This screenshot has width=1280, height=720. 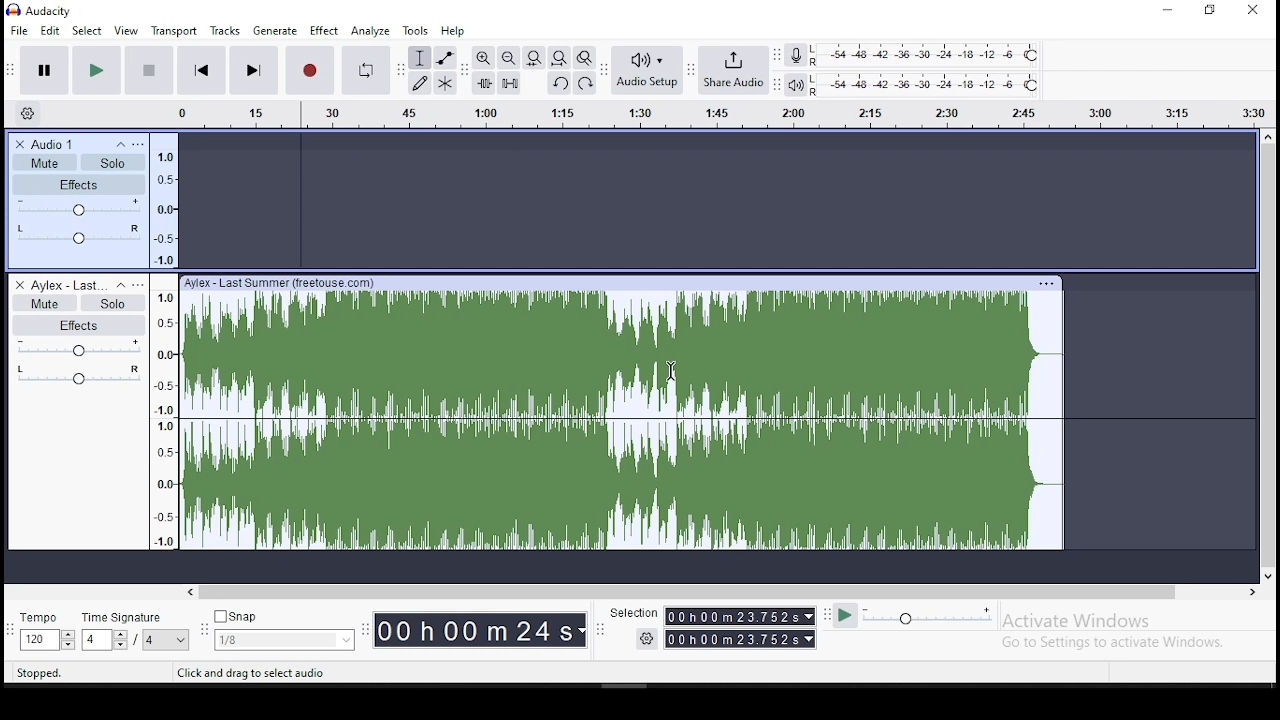 I want to click on tool tips, so click(x=45, y=674).